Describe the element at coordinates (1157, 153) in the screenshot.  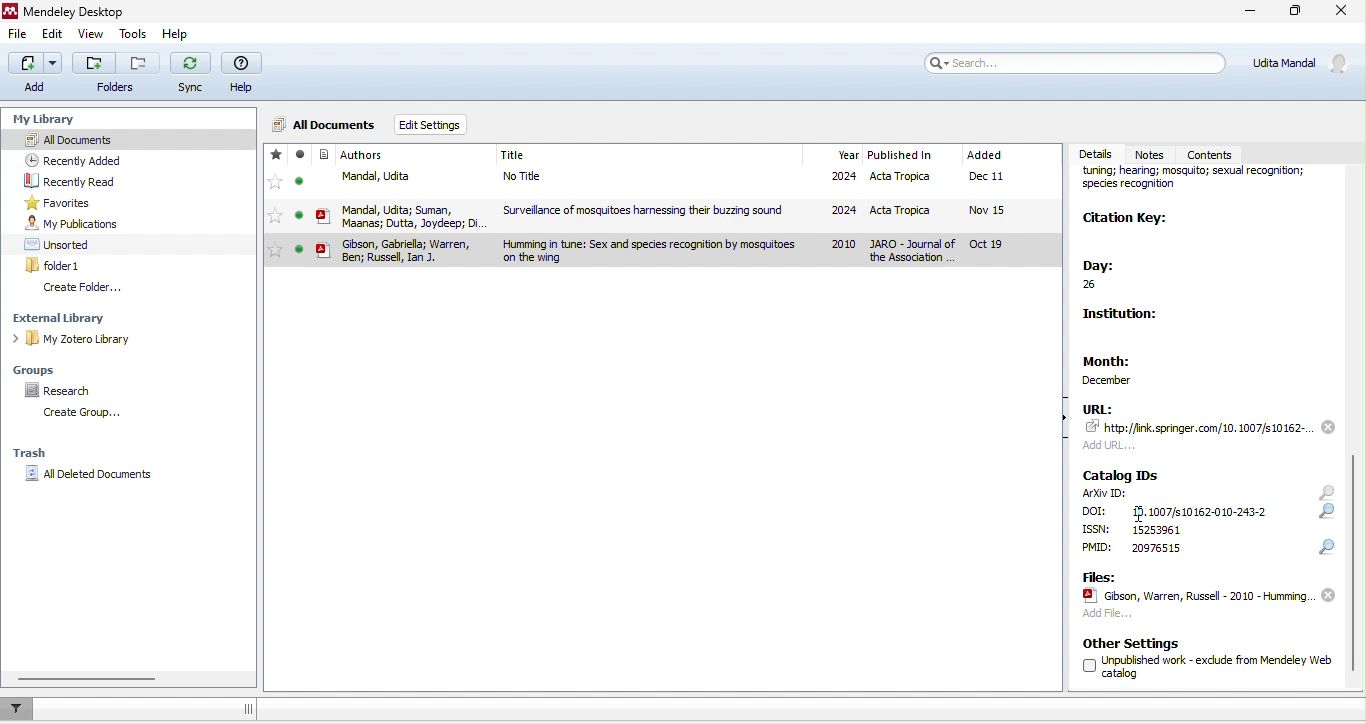
I see `notes` at that location.